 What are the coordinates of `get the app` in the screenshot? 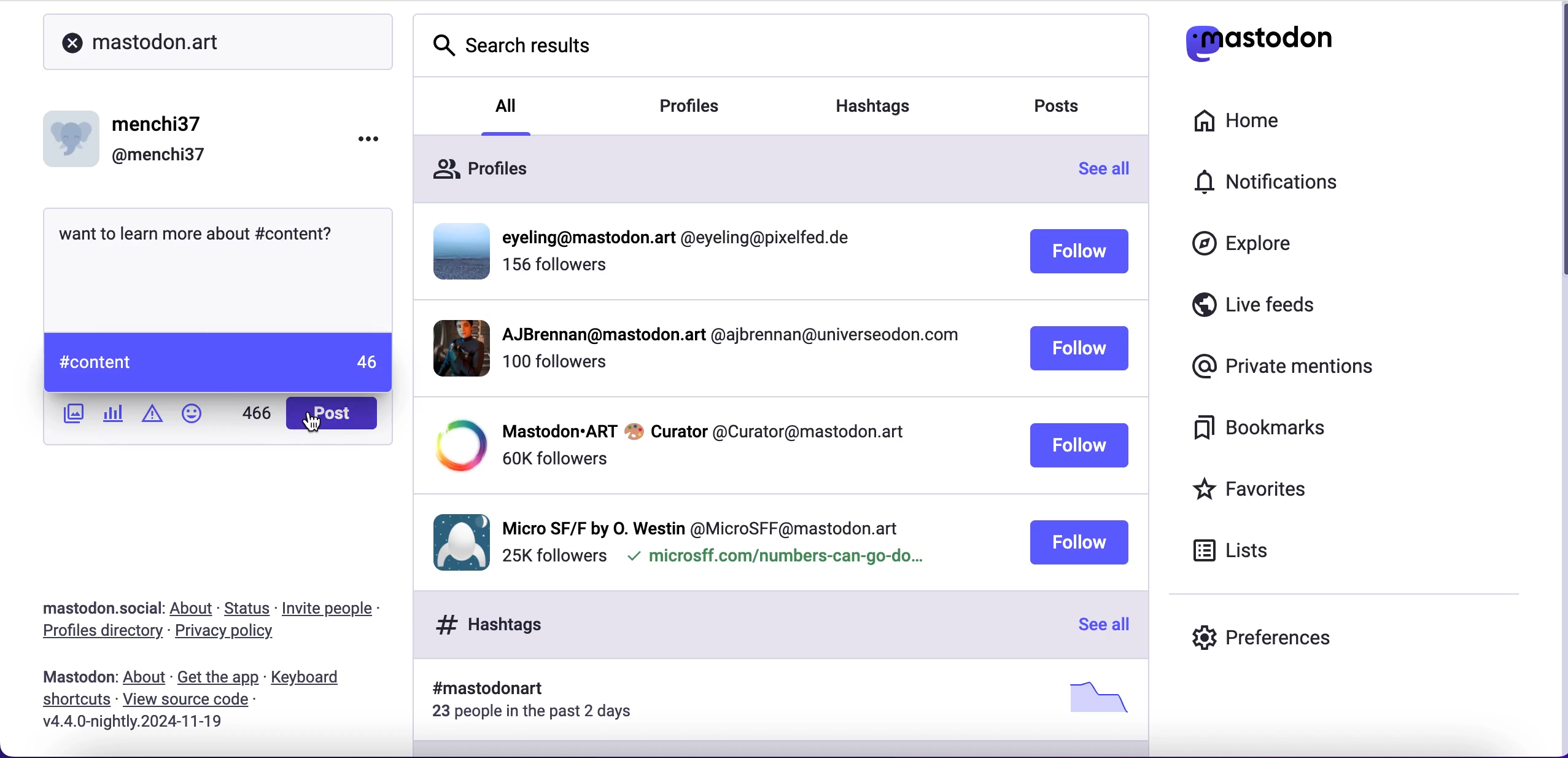 It's located at (217, 678).